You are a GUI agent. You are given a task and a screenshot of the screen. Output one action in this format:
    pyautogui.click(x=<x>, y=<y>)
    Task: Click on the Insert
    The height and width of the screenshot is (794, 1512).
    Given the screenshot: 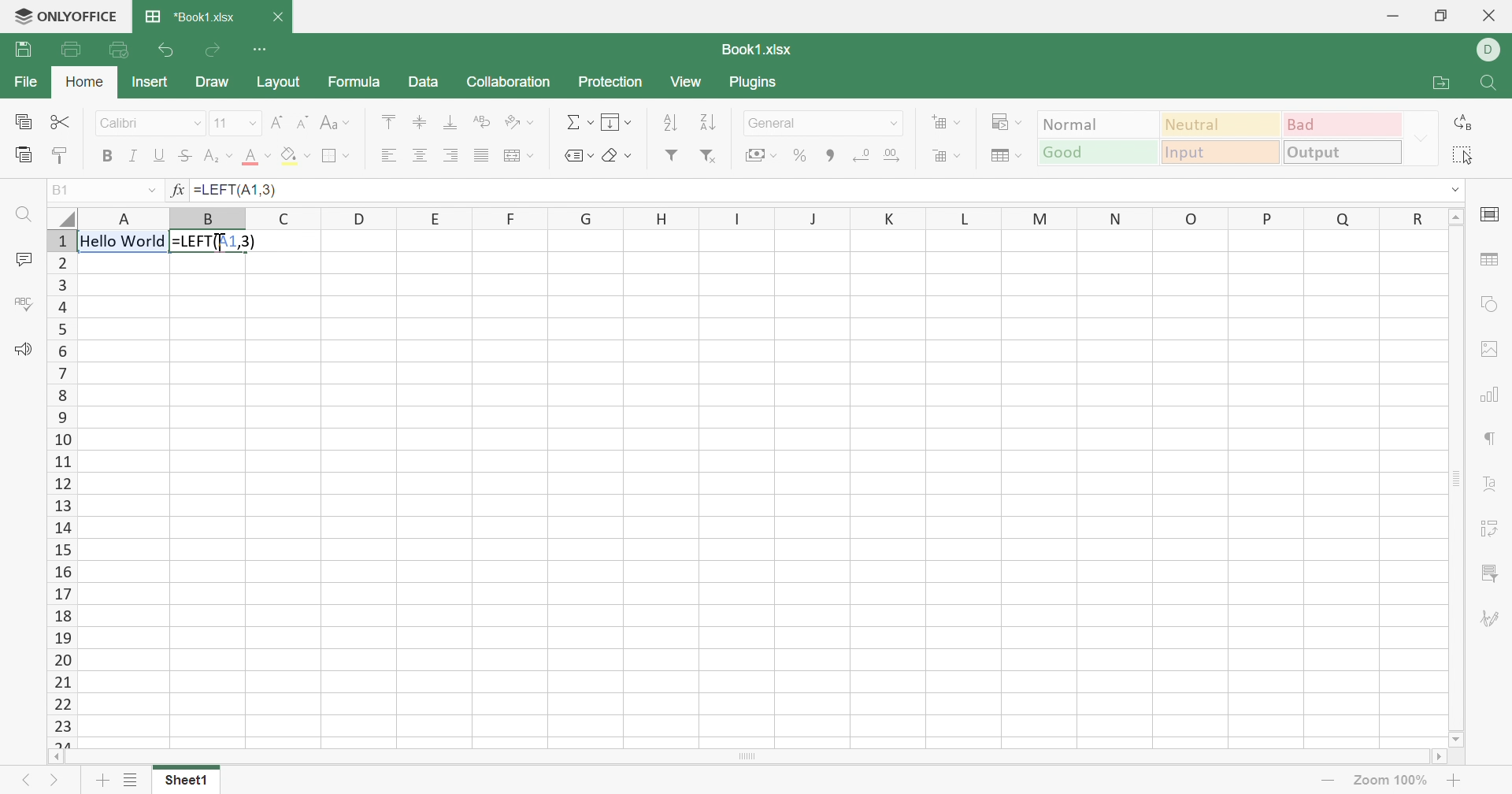 What is the action you would take?
    pyautogui.click(x=150, y=82)
    